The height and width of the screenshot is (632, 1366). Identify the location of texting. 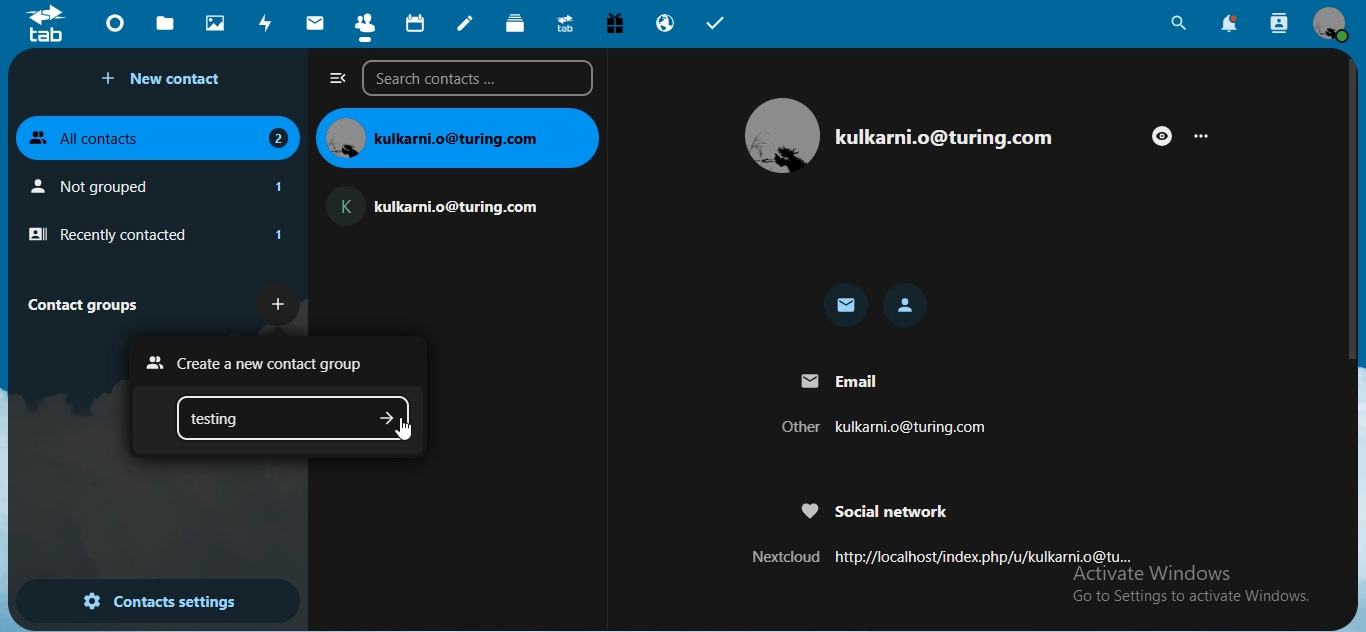
(248, 419).